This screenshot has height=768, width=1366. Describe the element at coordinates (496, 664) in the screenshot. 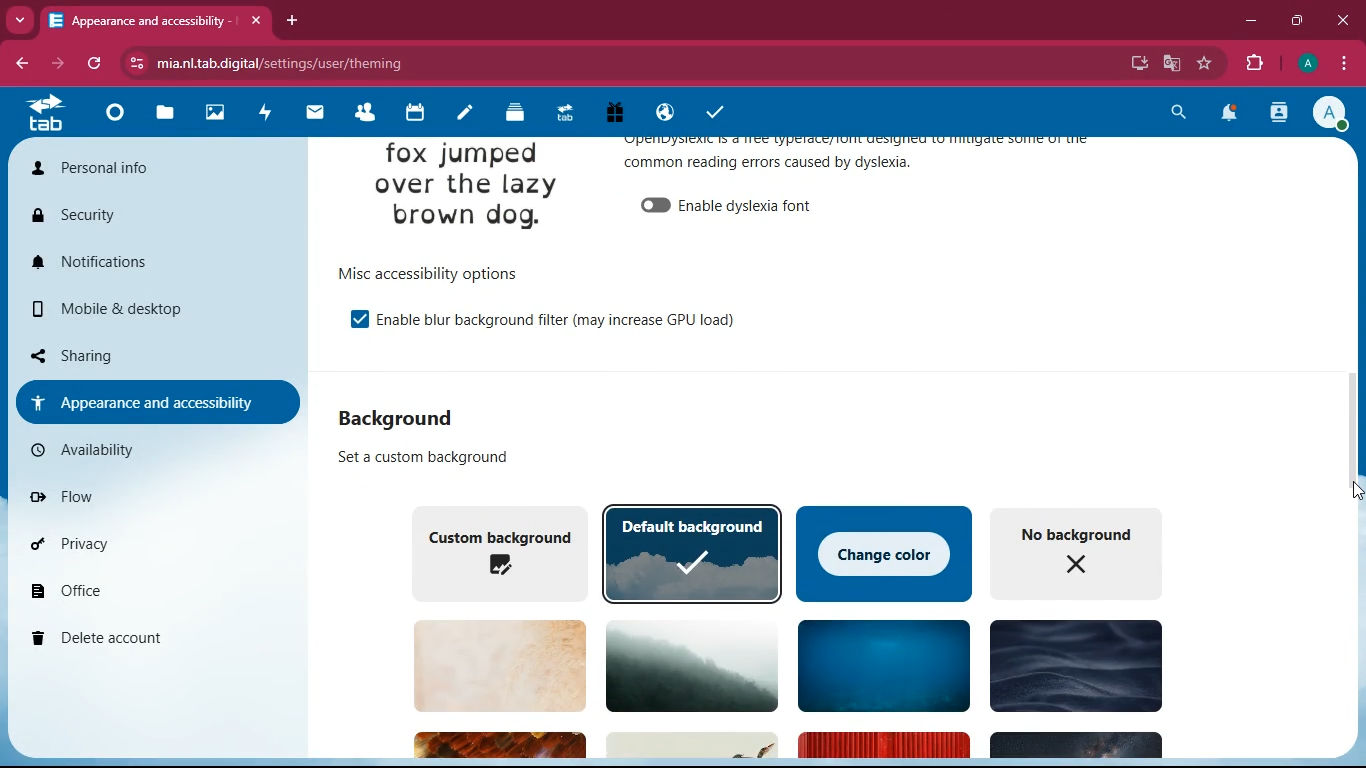

I see `background` at that location.